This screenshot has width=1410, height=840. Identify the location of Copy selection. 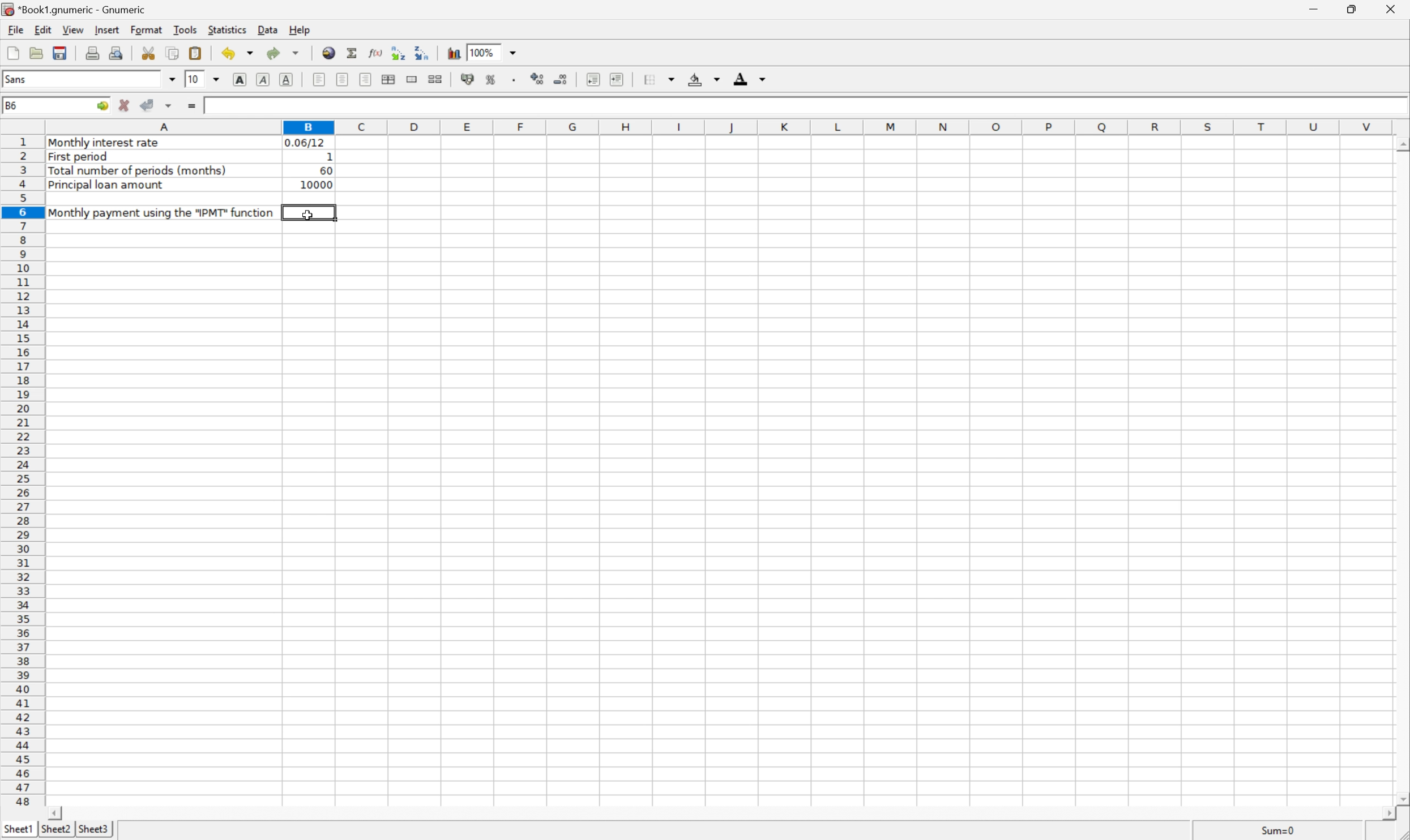
(174, 54).